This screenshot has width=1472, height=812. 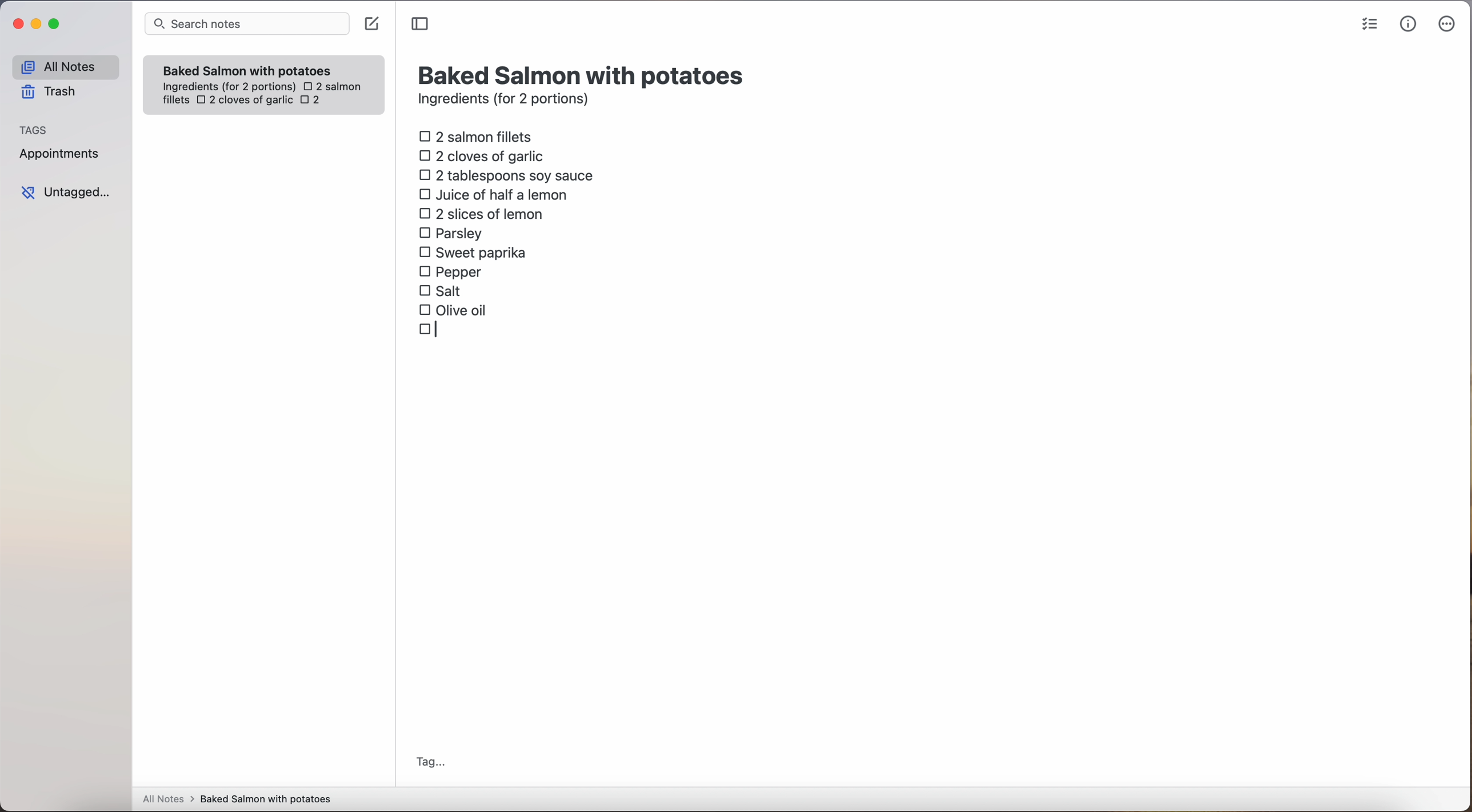 What do you see at coordinates (454, 309) in the screenshot?
I see `olive oil` at bounding box center [454, 309].